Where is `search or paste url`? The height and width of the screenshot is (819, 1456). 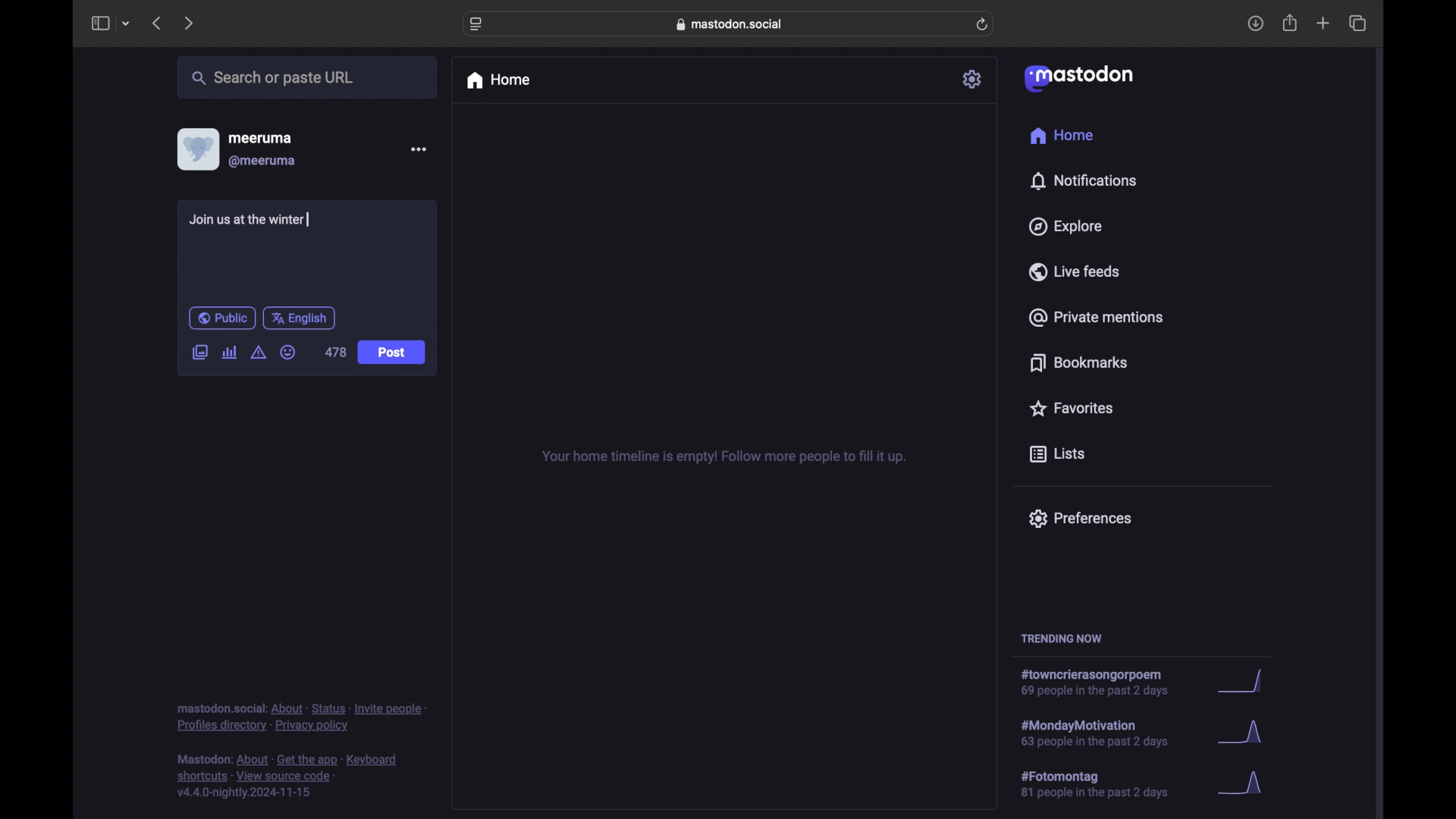
search or paste url is located at coordinates (272, 78).